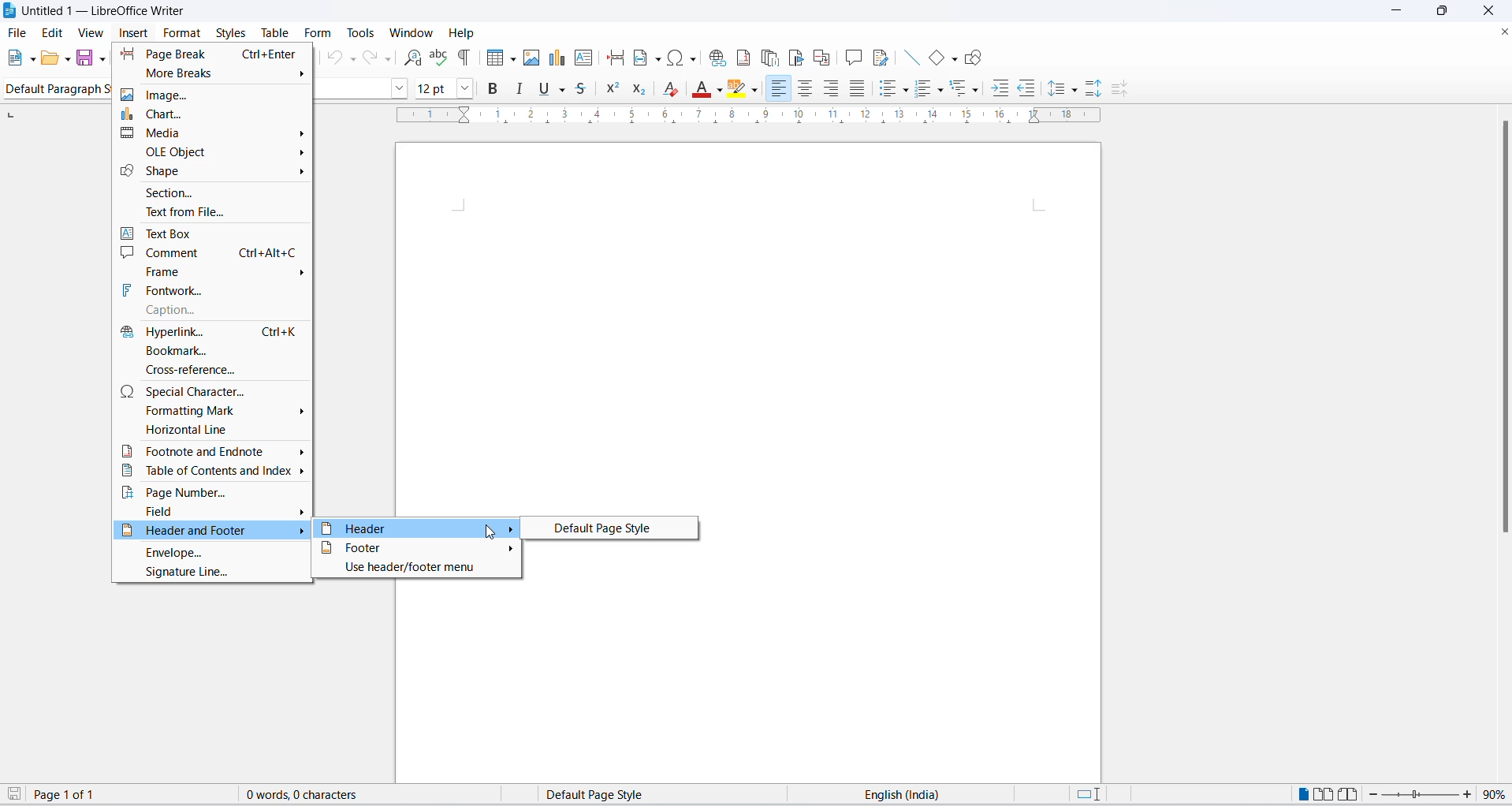  Describe the element at coordinates (490, 533) in the screenshot. I see `cursor` at that location.